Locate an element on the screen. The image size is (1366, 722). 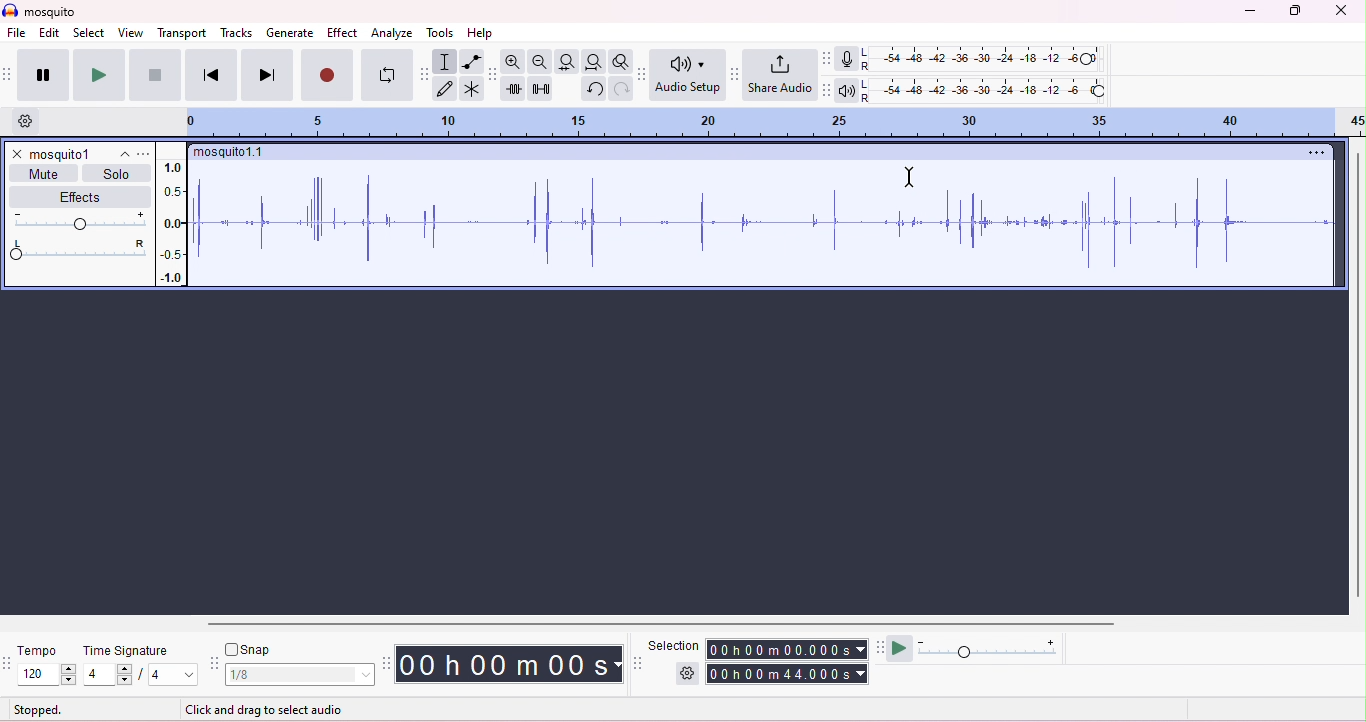
edit toolbar is located at coordinates (493, 75).